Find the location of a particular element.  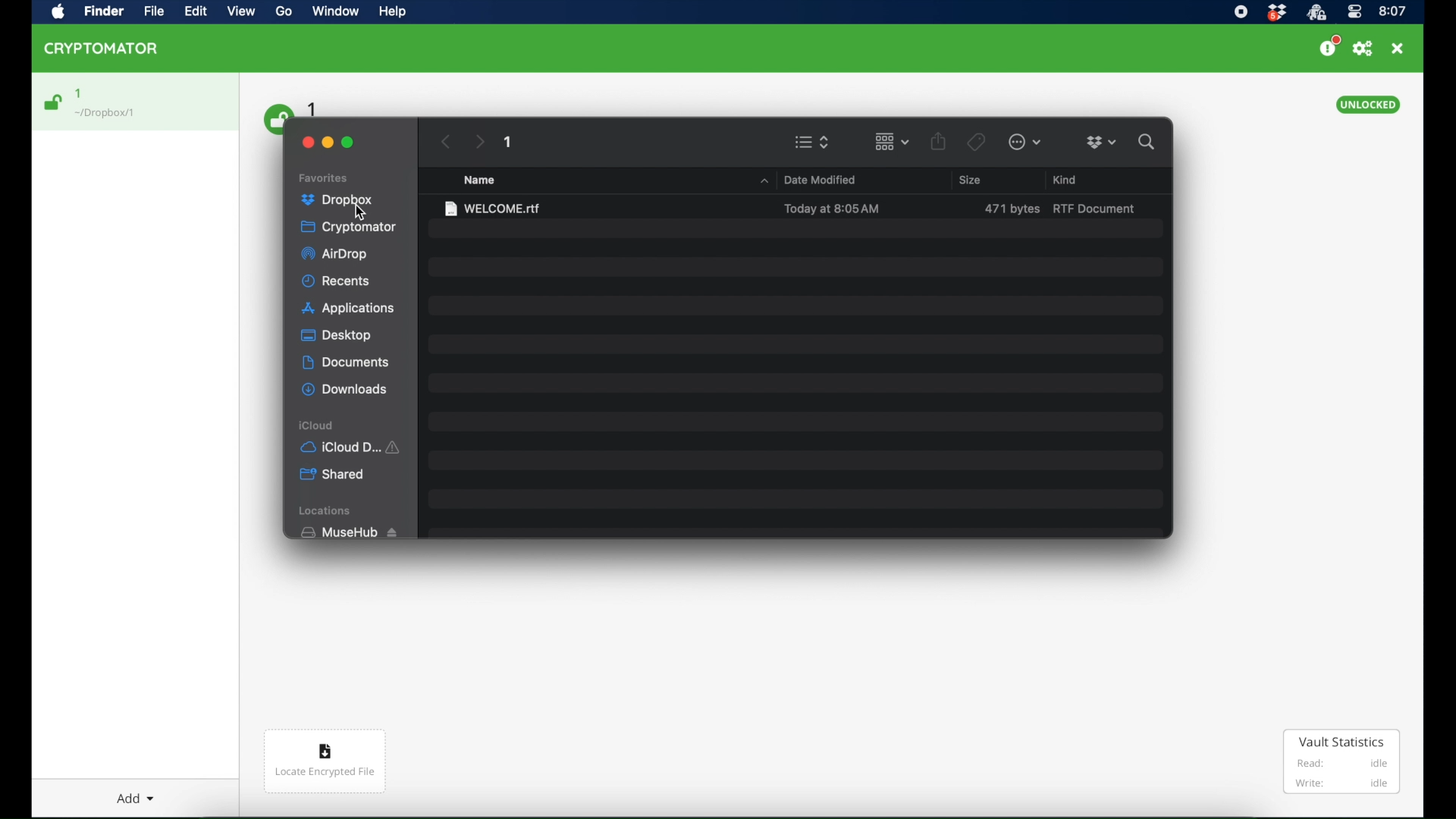

search is located at coordinates (1150, 142).